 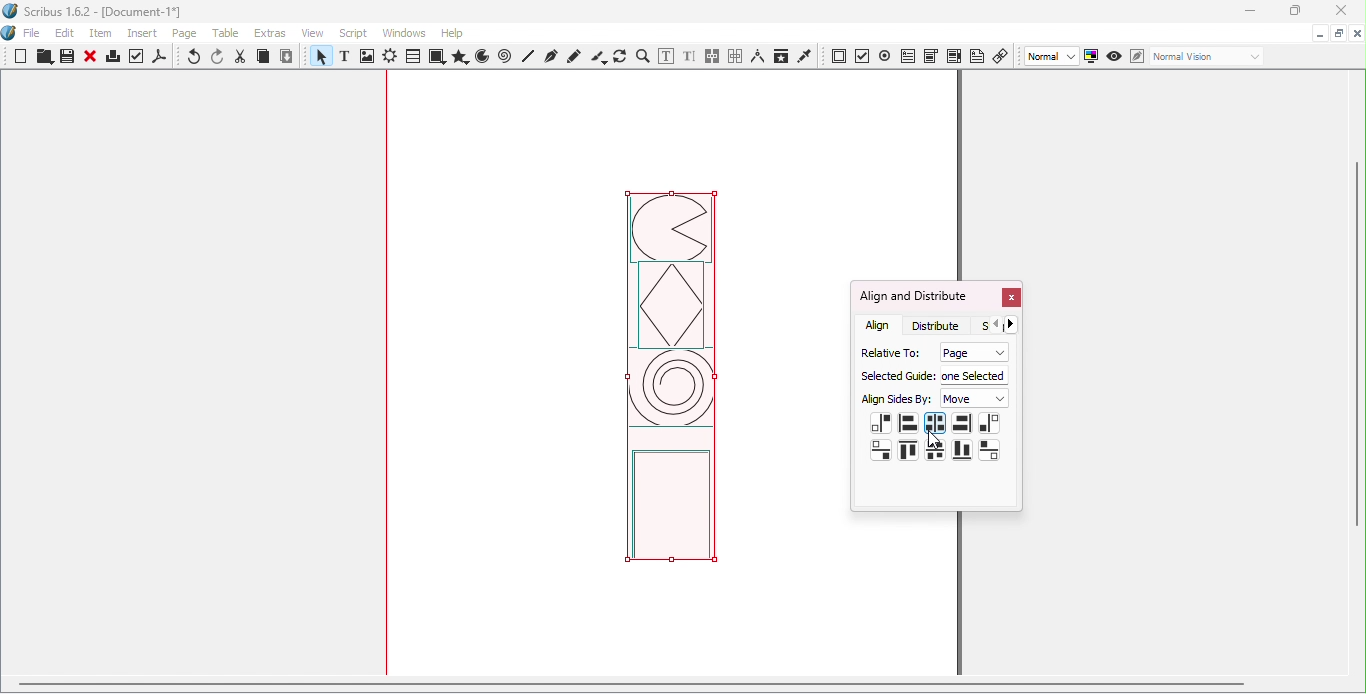 What do you see at coordinates (1293, 11) in the screenshot?
I see `Maximize` at bounding box center [1293, 11].